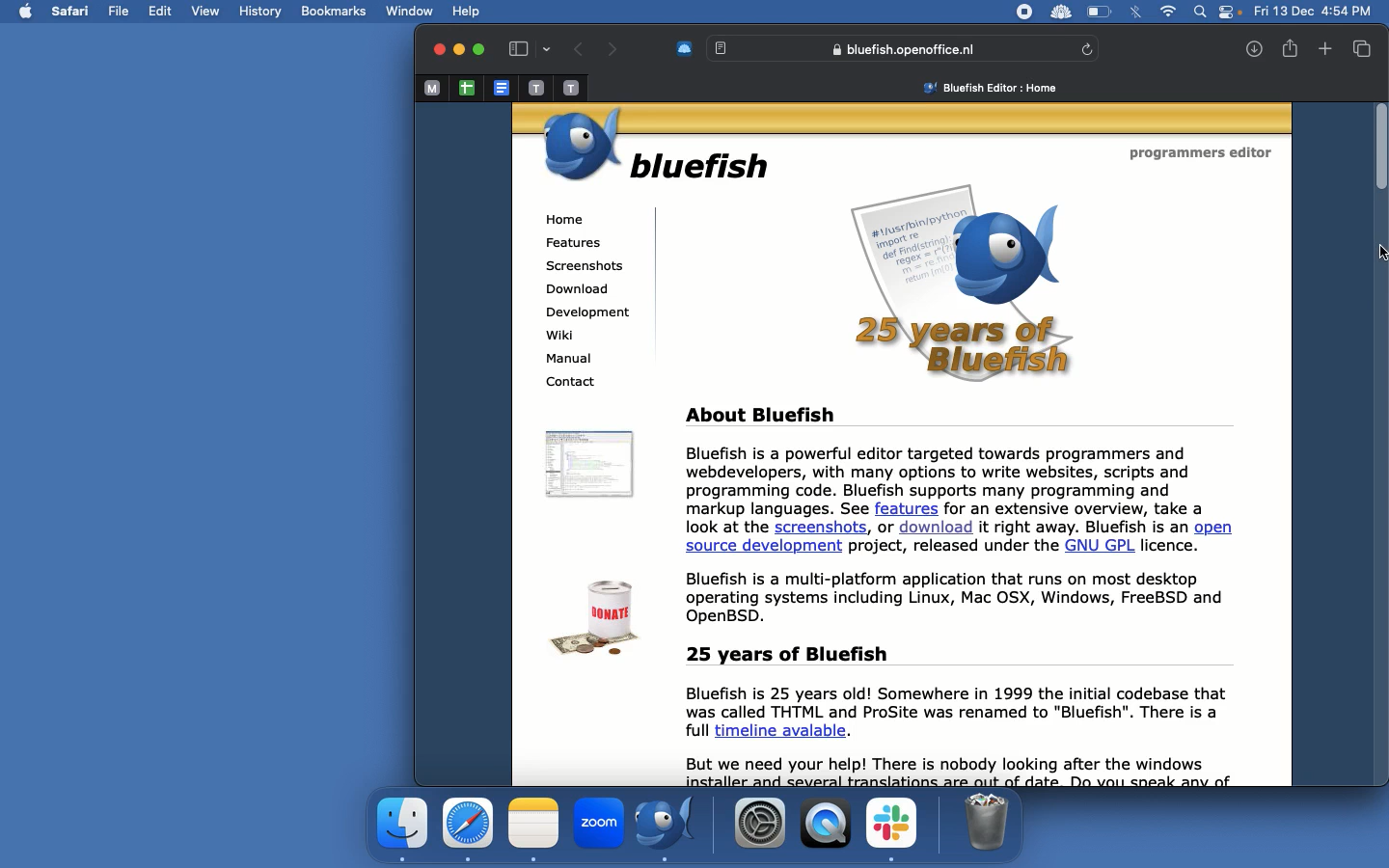 This screenshot has height=868, width=1389. What do you see at coordinates (457, 50) in the screenshot?
I see `Minimize` at bounding box center [457, 50].